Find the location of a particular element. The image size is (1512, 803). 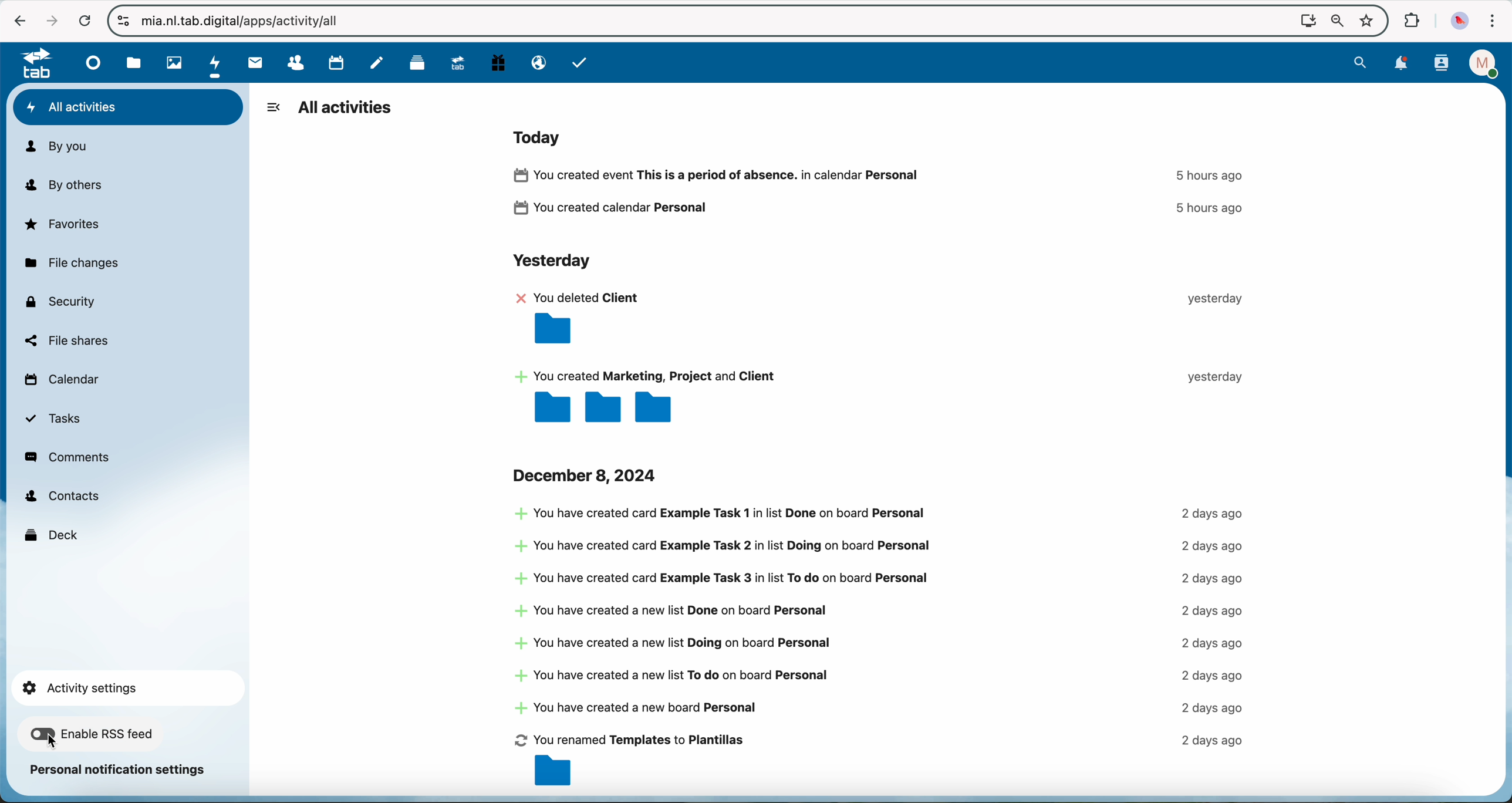

tasks is located at coordinates (54, 419).